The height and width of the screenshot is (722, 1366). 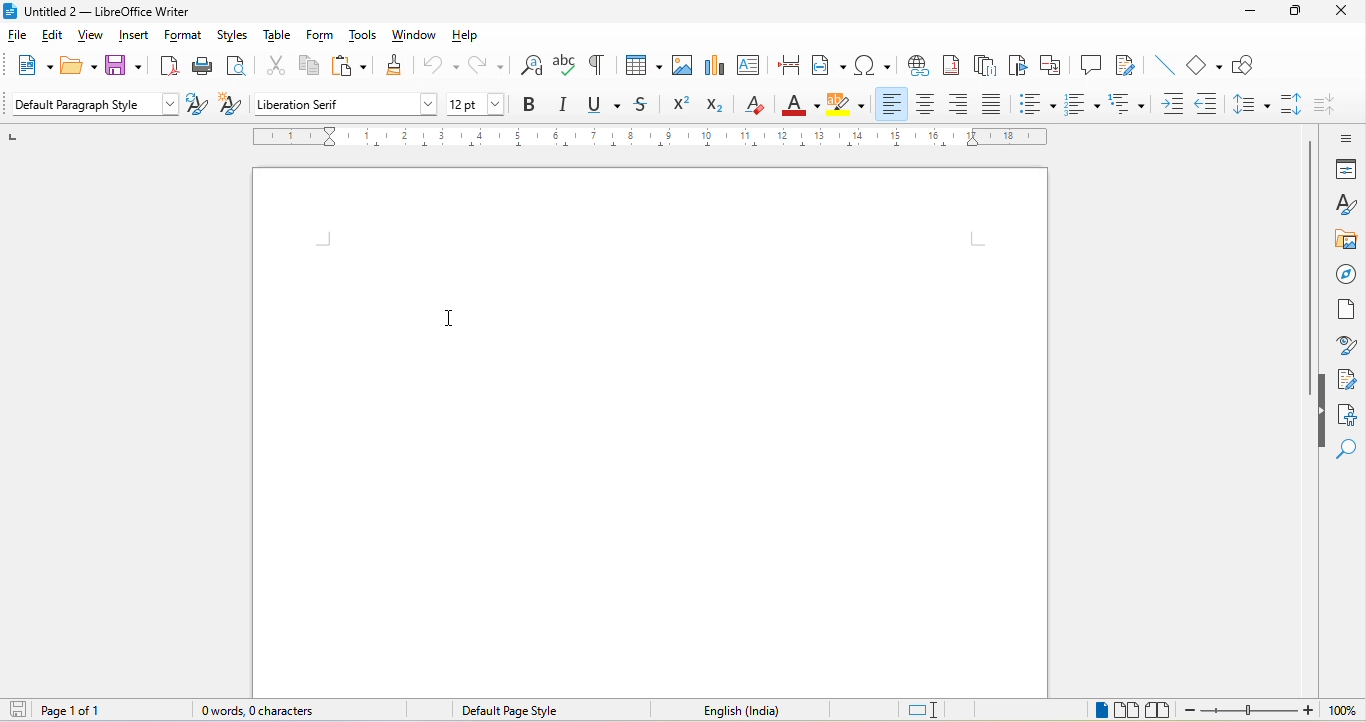 What do you see at coordinates (482, 105) in the screenshot?
I see `font size` at bounding box center [482, 105].